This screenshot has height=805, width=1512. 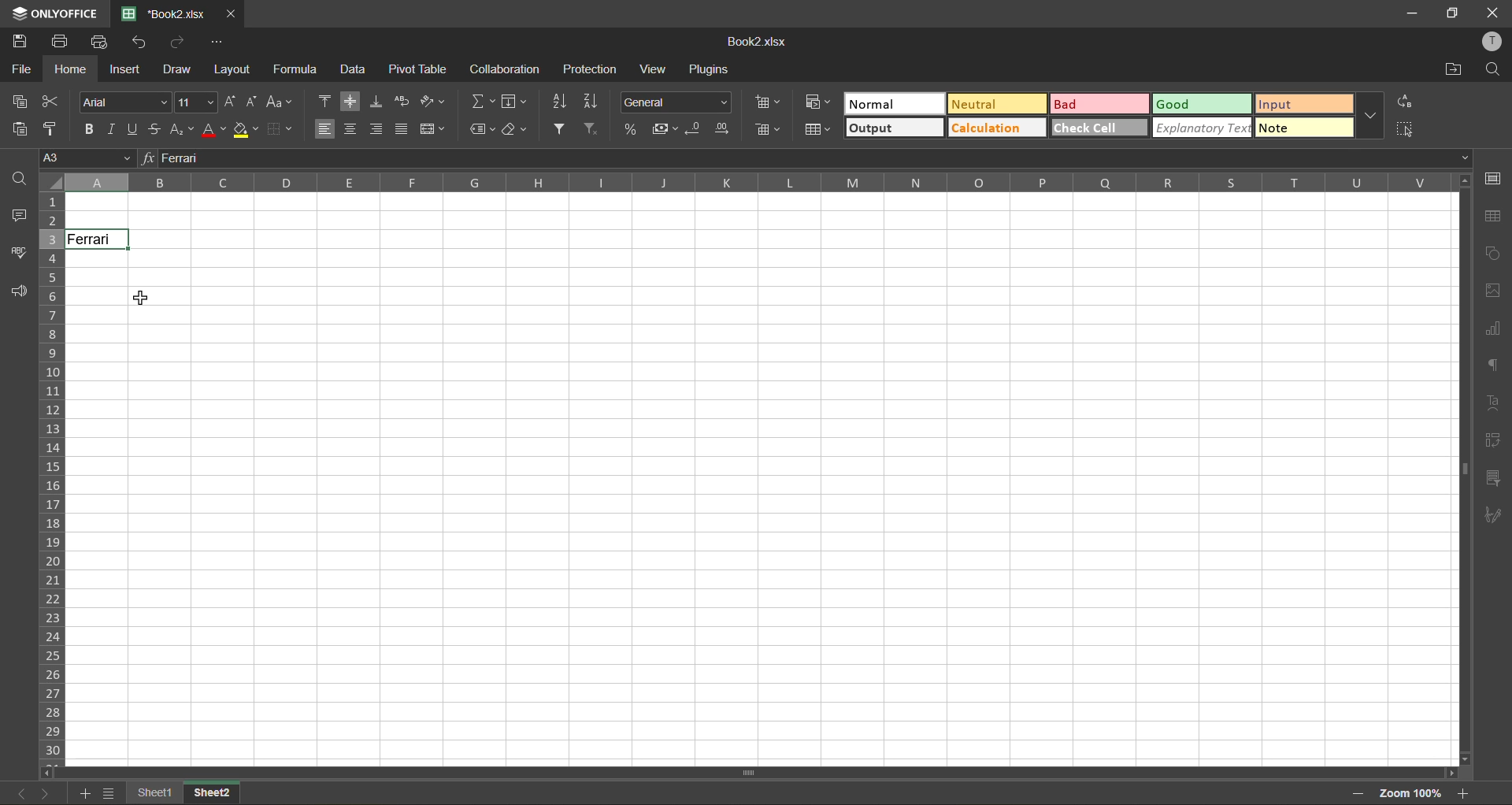 What do you see at coordinates (768, 129) in the screenshot?
I see `delete cells` at bounding box center [768, 129].